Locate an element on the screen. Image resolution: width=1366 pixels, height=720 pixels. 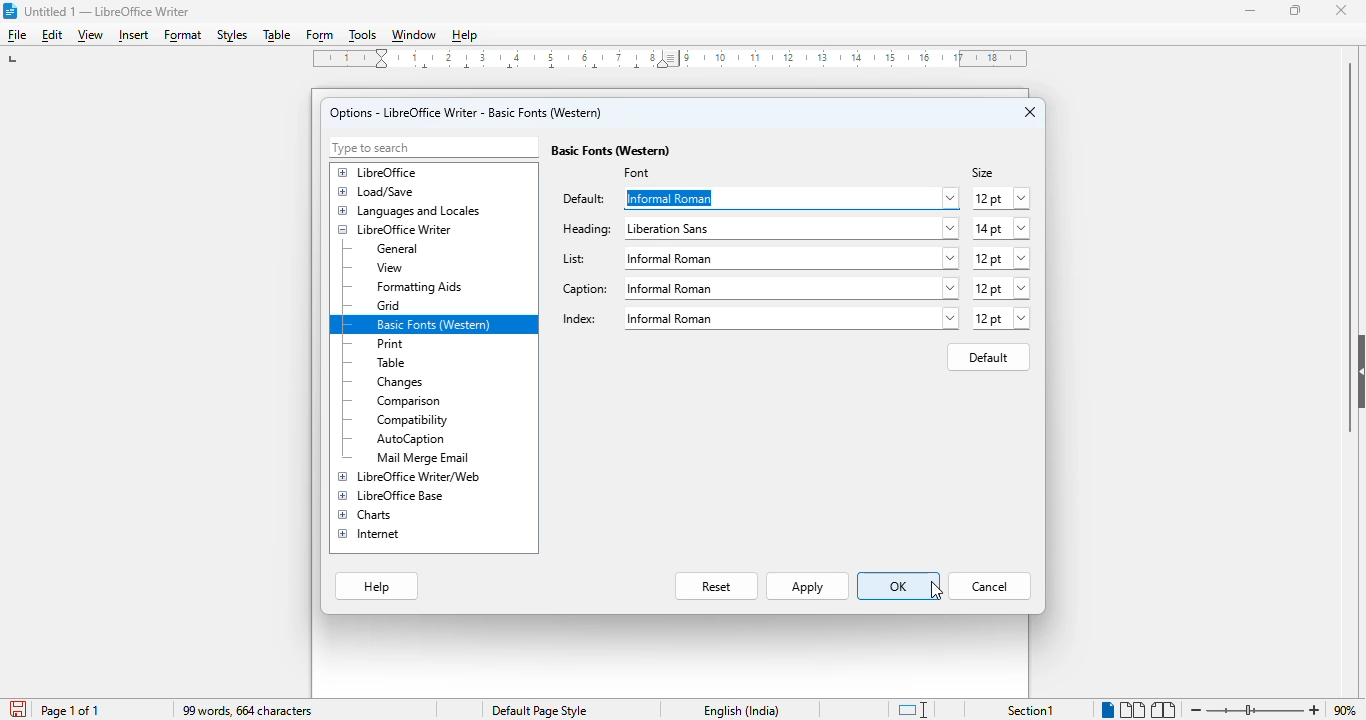
comparison is located at coordinates (409, 403).